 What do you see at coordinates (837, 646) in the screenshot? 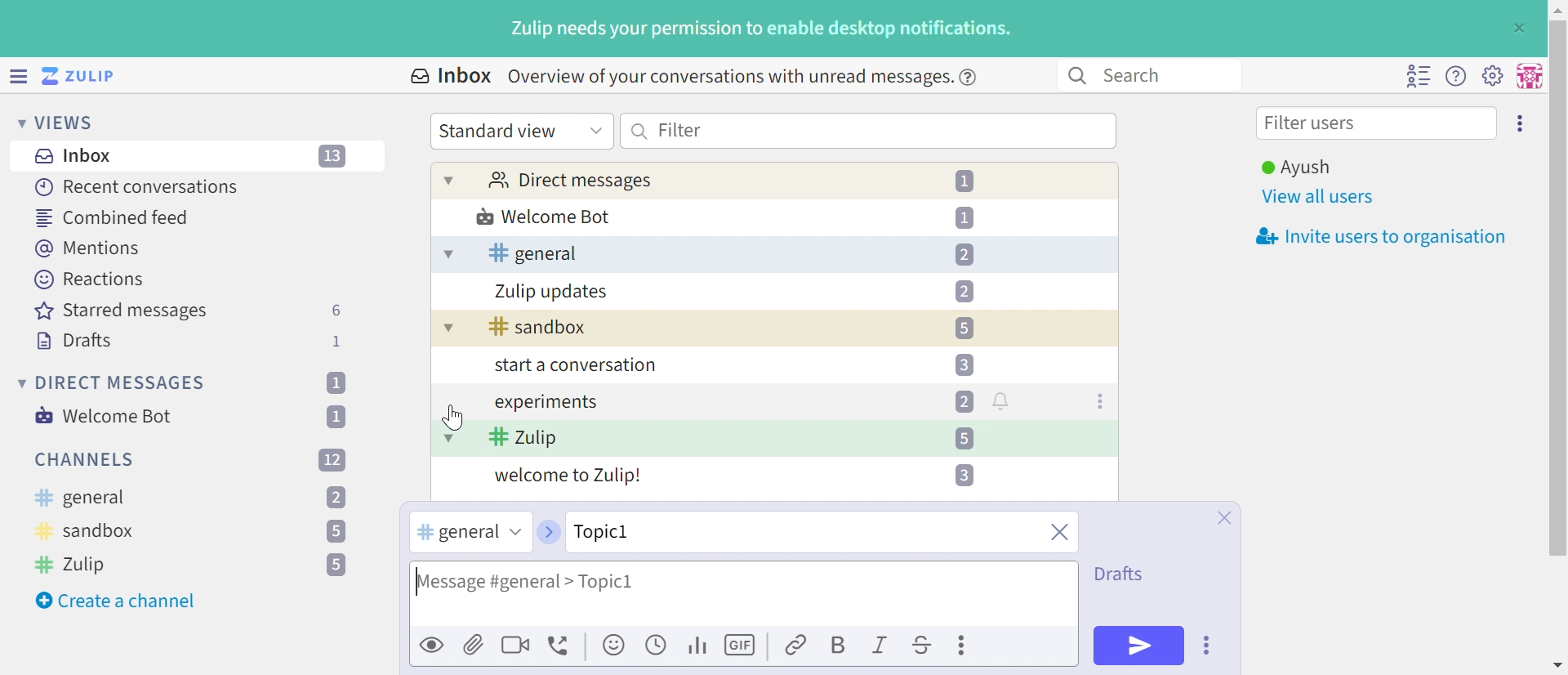
I see `Bold` at bounding box center [837, 646].